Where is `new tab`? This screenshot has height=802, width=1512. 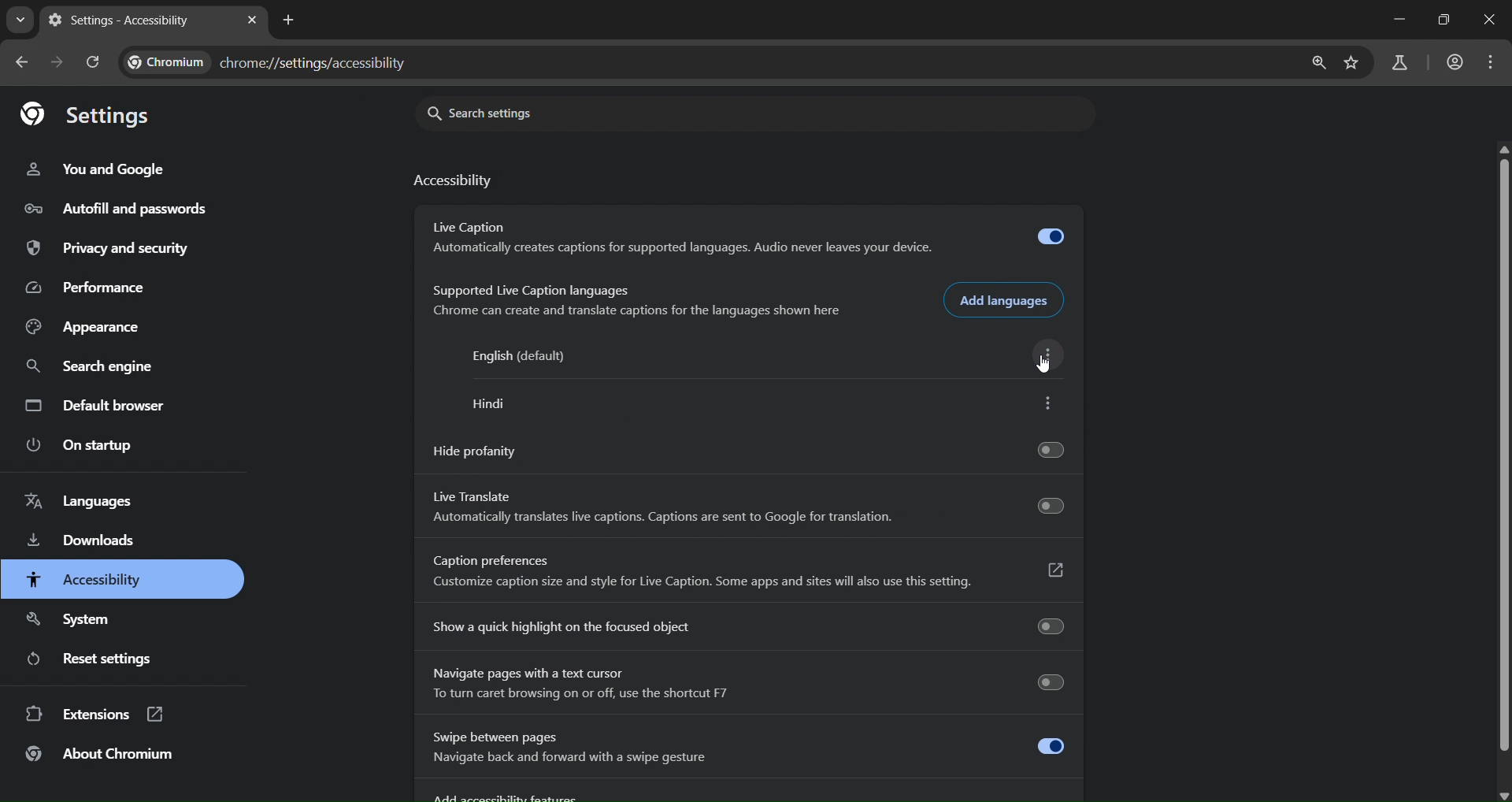 new tab is located at coordinates (288, 22).